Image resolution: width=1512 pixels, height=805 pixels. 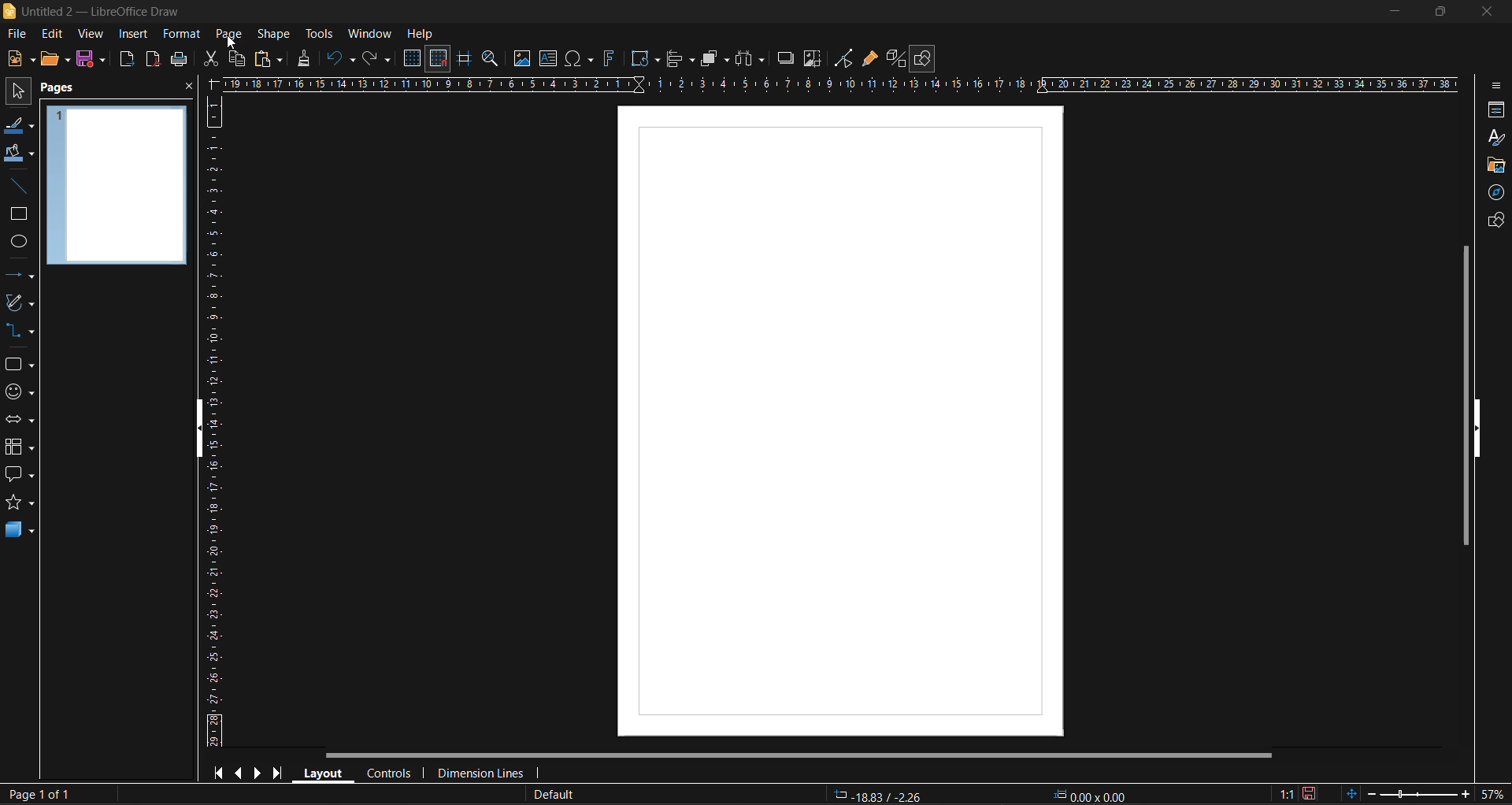 I want to click on zoom out, so click(x=1371, y=793).